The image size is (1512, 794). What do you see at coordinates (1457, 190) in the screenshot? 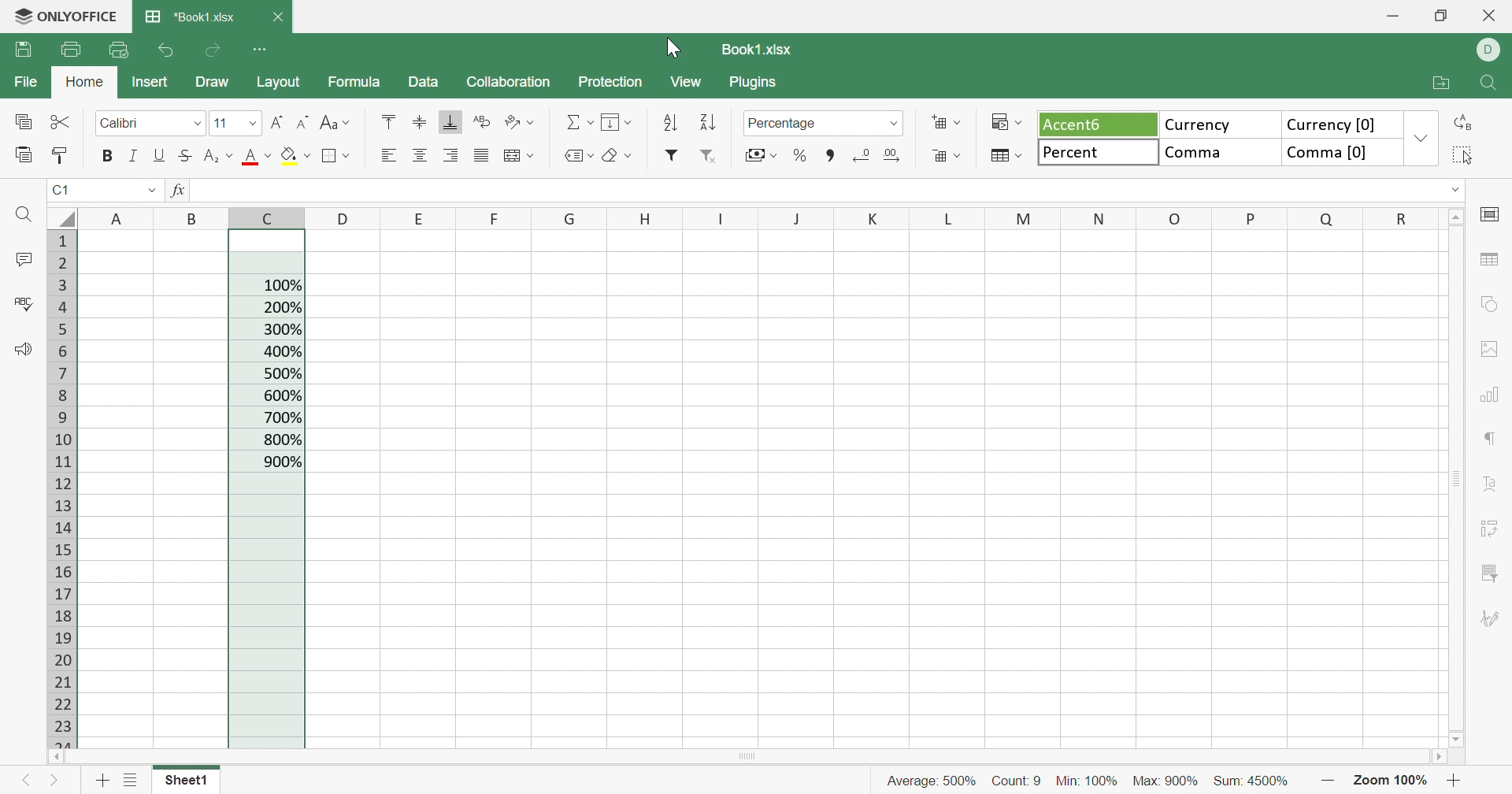
I see `Drop Down` at bounding box center [1457, 190].